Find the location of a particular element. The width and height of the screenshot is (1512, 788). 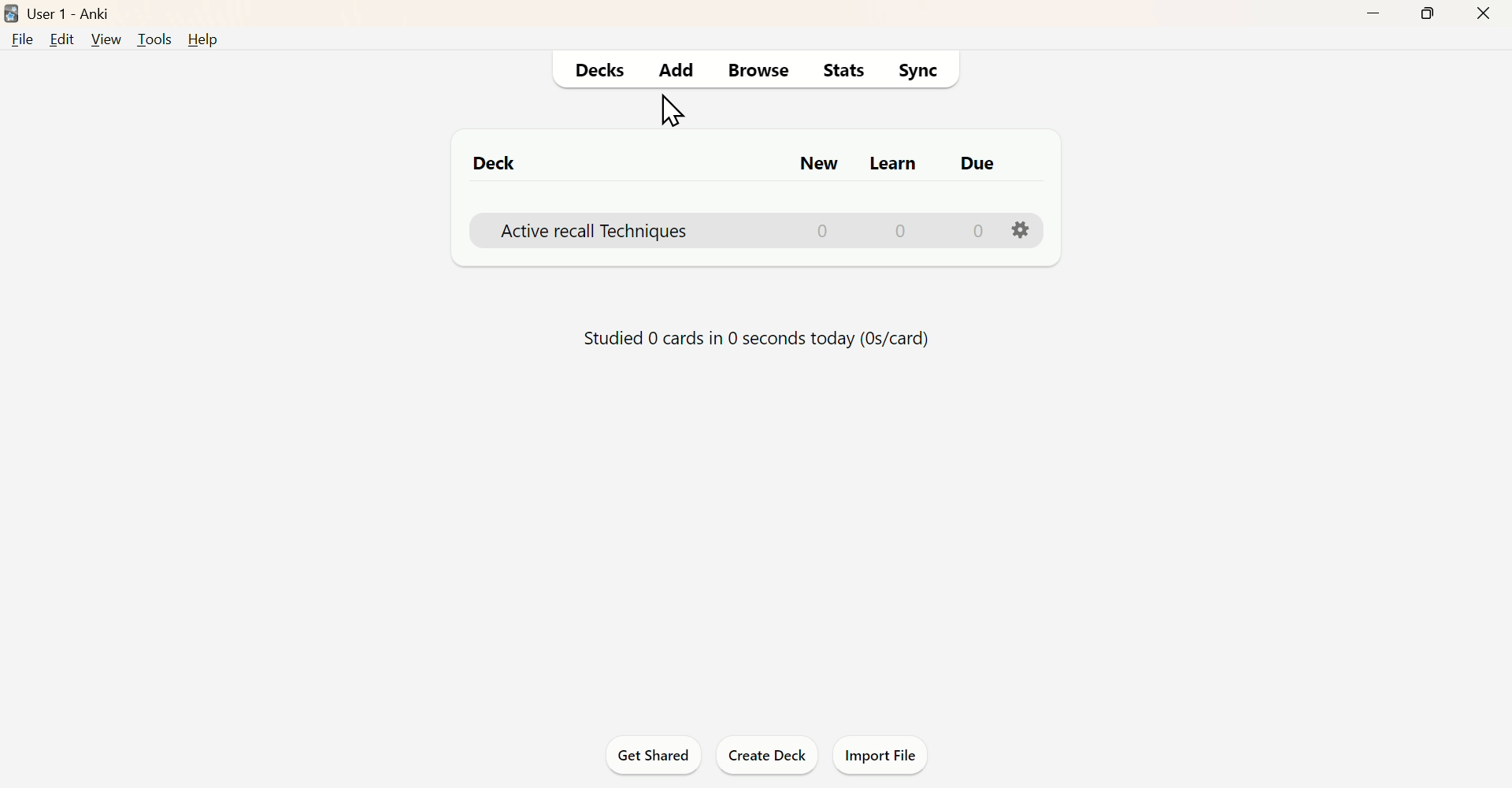

Sync is located at coordinates (917, 72).